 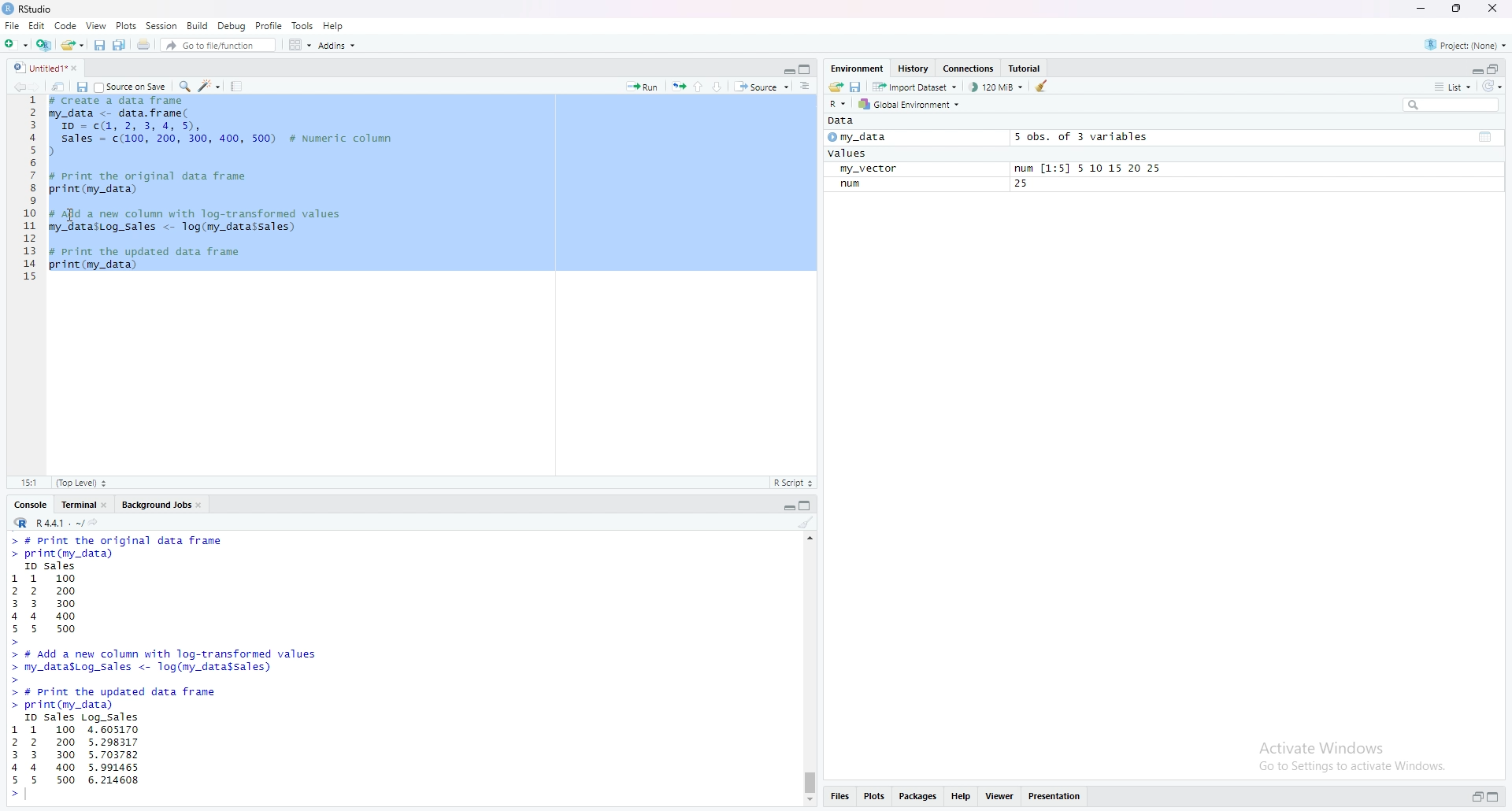 I want to click on refresh options, so click(x=1495, y=89).